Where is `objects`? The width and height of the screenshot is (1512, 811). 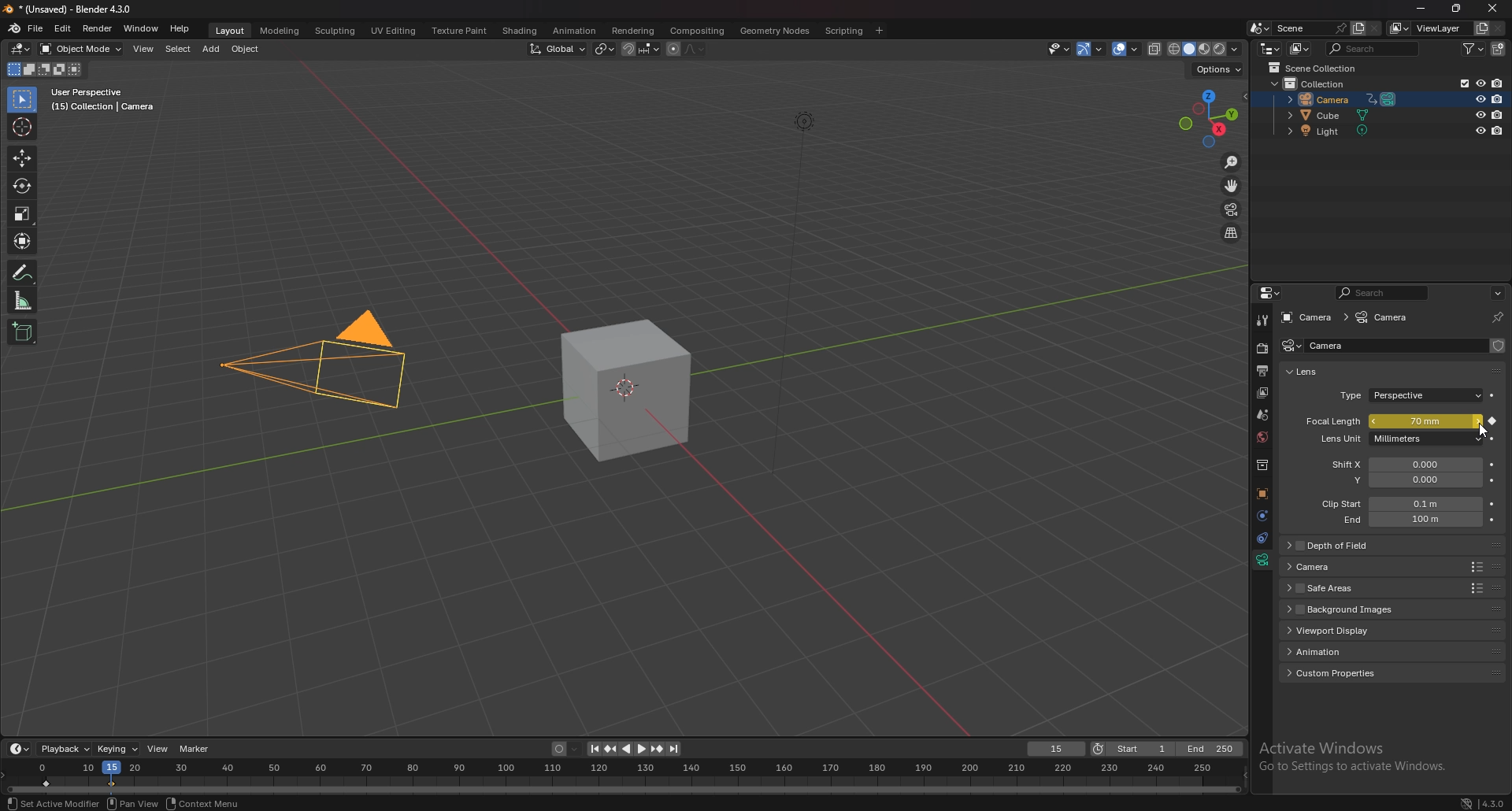
objects is located at coordinates (1262, 494).